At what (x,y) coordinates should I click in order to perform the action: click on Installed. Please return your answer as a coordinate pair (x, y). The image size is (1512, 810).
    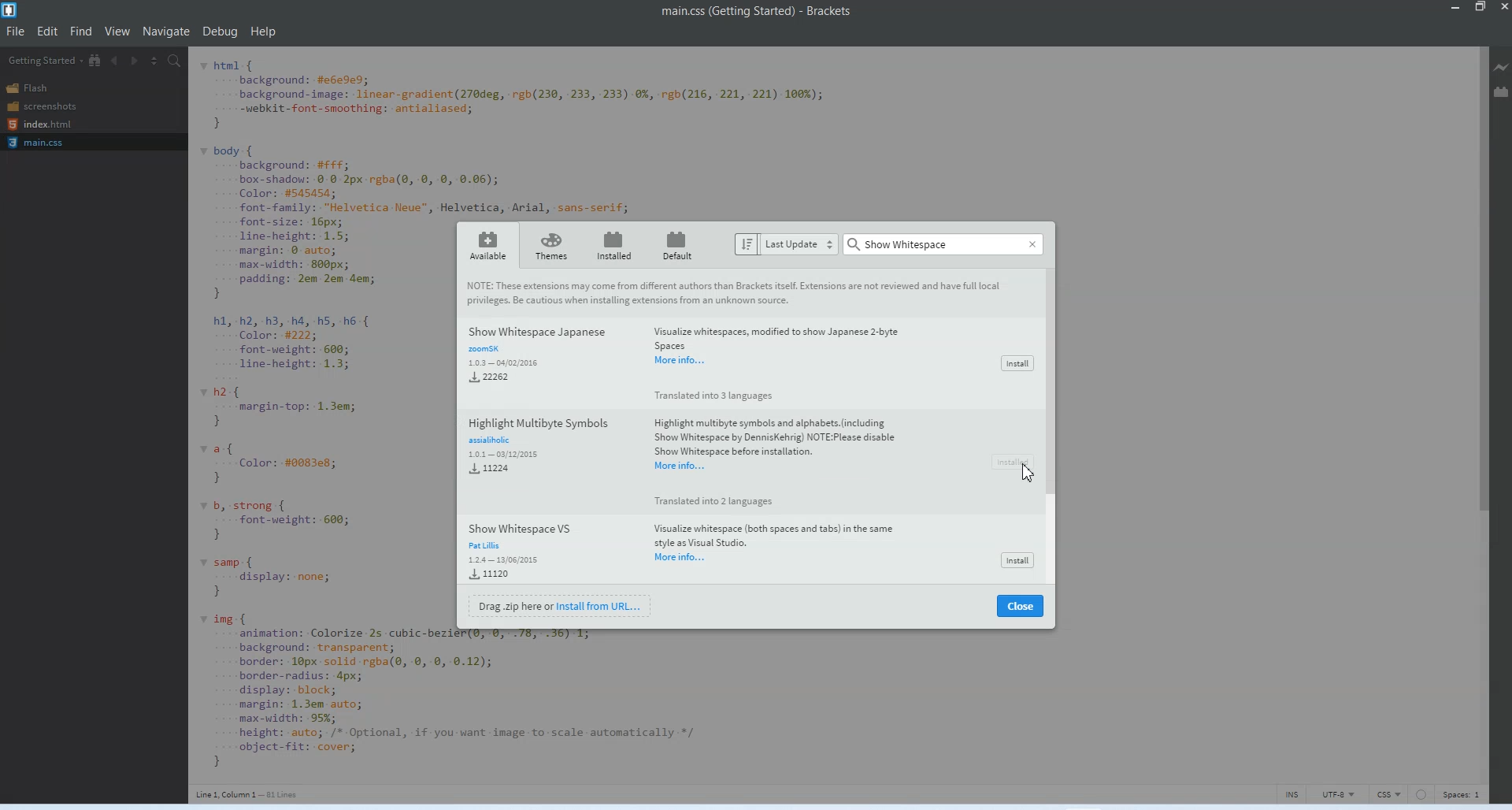
    Looking at the image, I should click on (610, 245).